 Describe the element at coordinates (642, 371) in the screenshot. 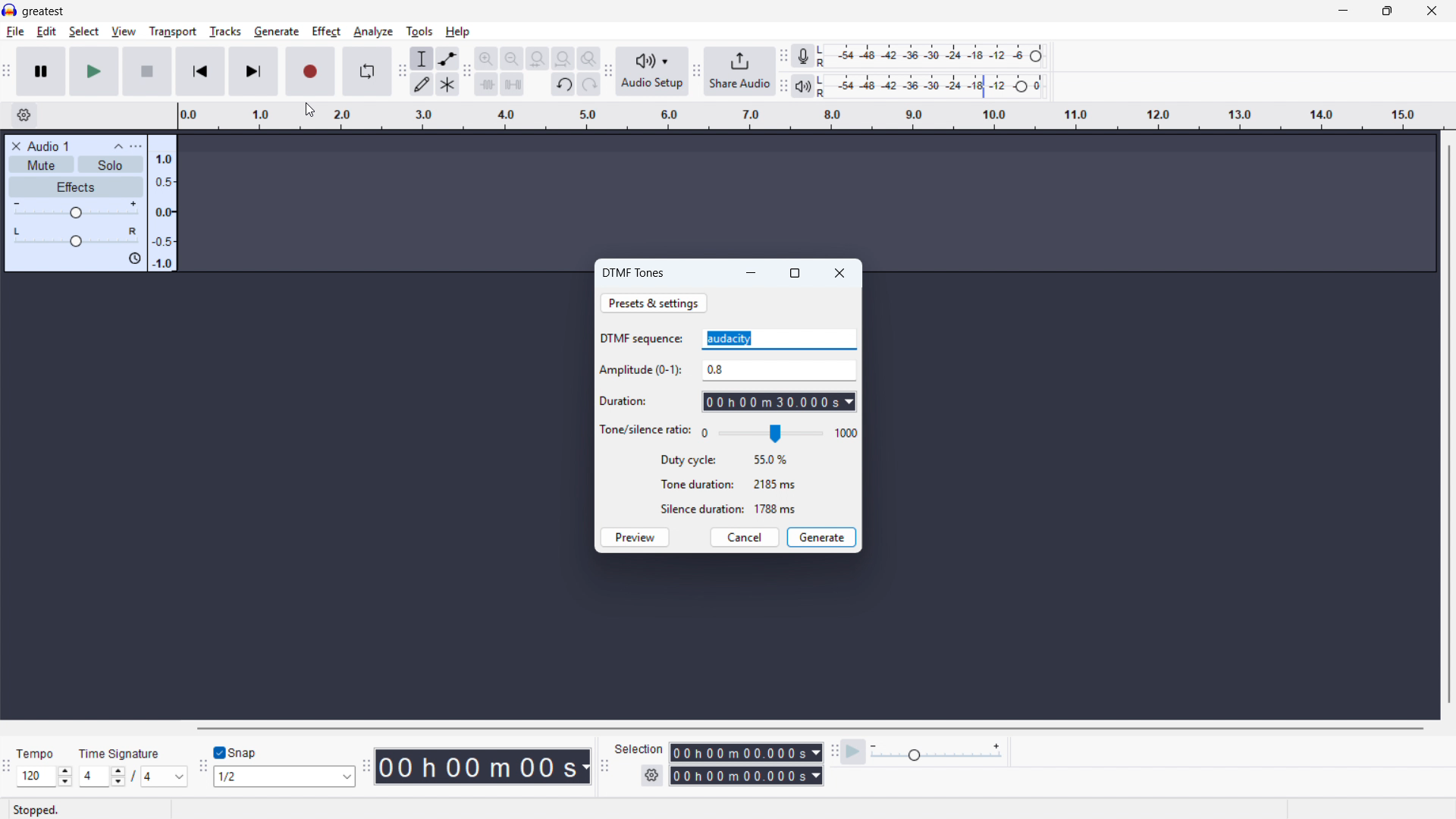

I see `amplitude (0-1)` at that location.